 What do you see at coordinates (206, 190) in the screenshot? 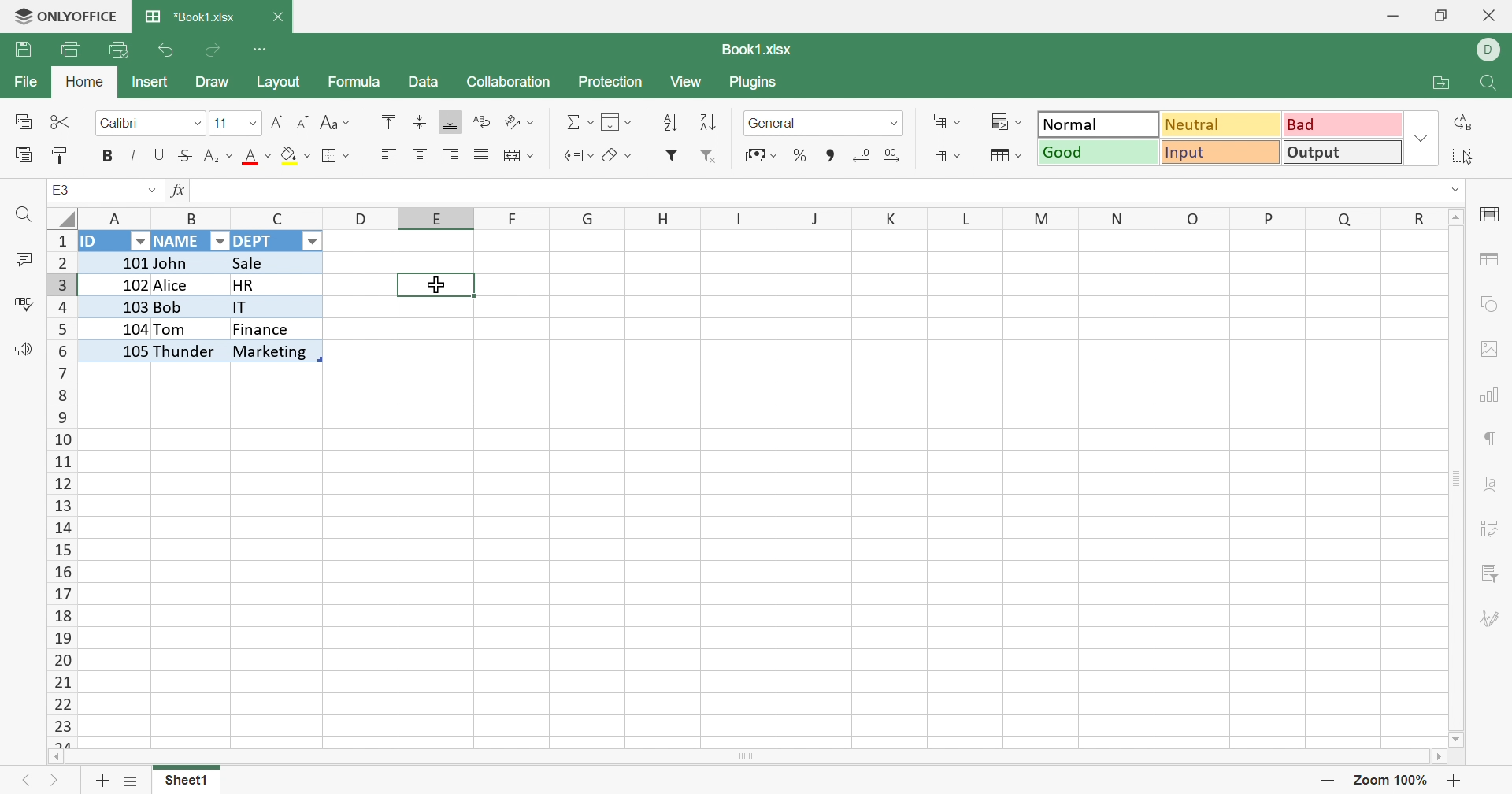
I see `ID` at bounding box center [206, 190].